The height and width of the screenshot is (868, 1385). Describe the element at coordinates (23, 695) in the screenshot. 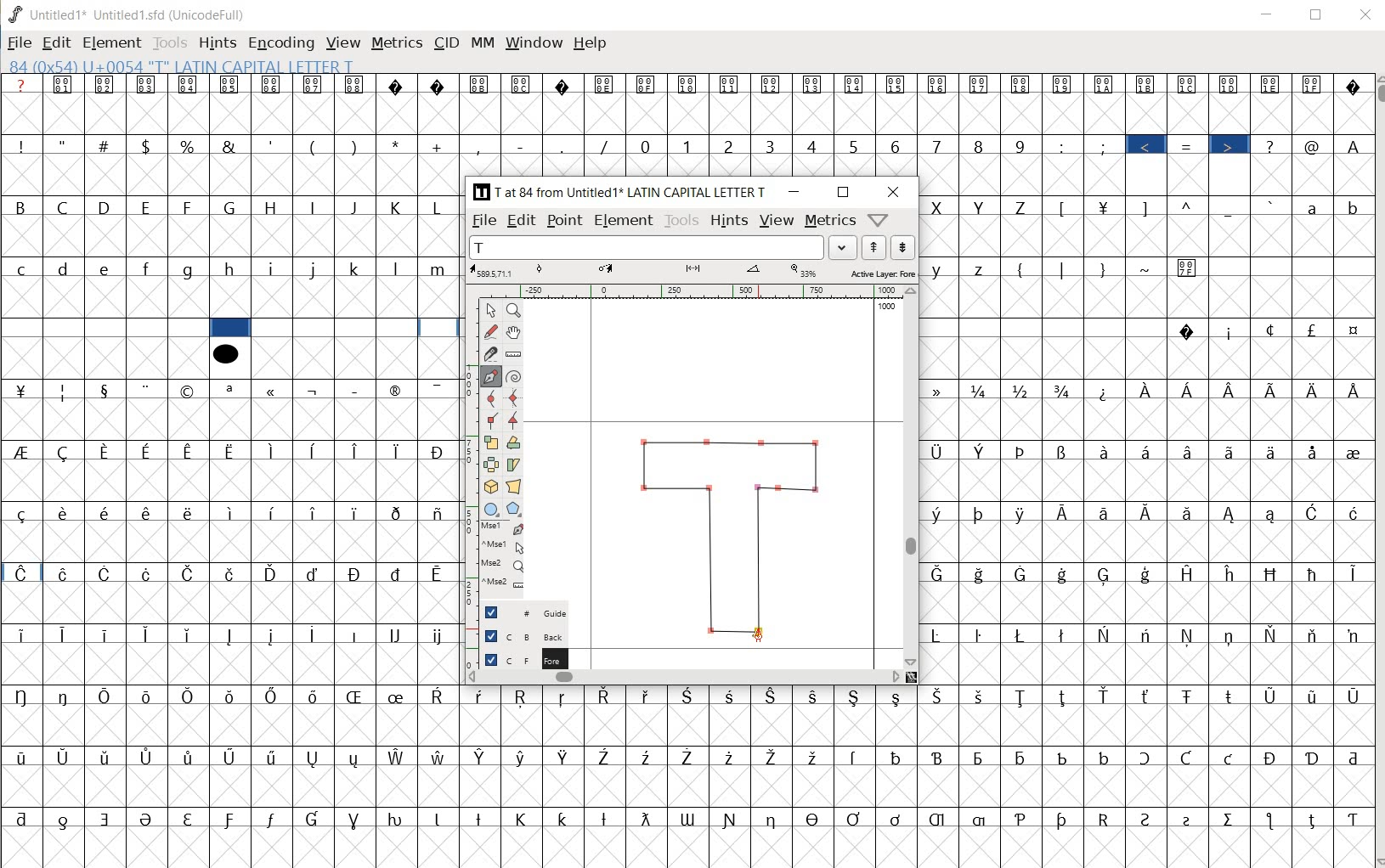

I see `Symbol` at that location.